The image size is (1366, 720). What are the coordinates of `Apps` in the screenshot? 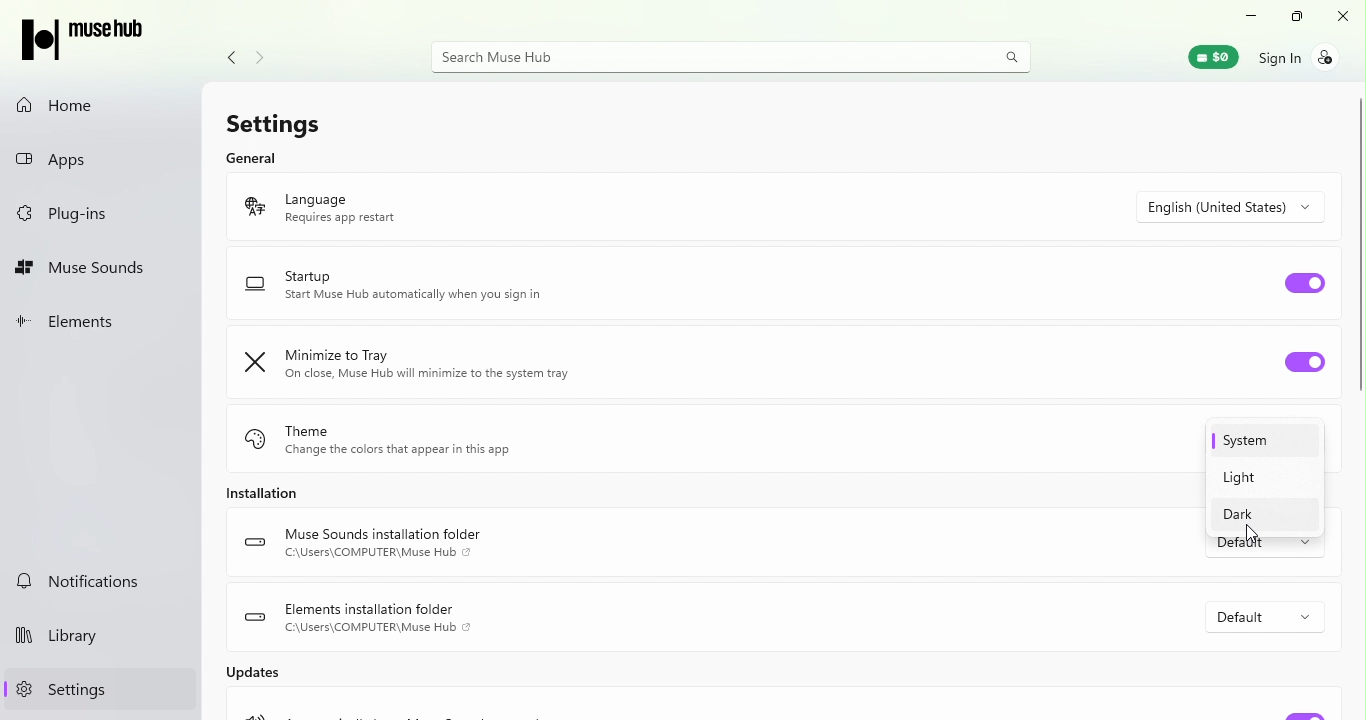 It's located at (84, 161).